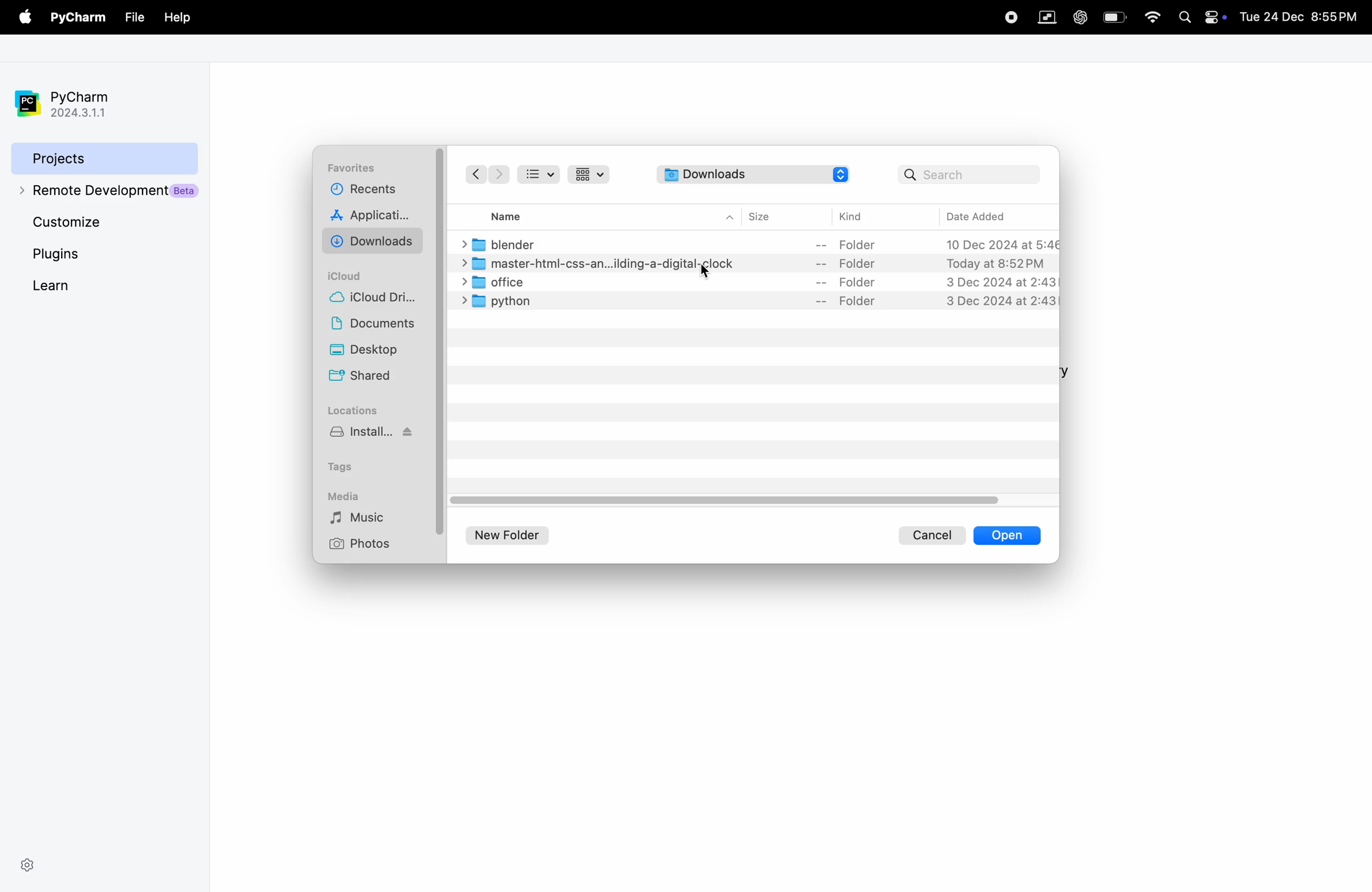 The height and width of the screenshot is (892, 1372). I want to click on master-html-css-and-javascript-by-building-a-digital-clock, so click(760, 263).